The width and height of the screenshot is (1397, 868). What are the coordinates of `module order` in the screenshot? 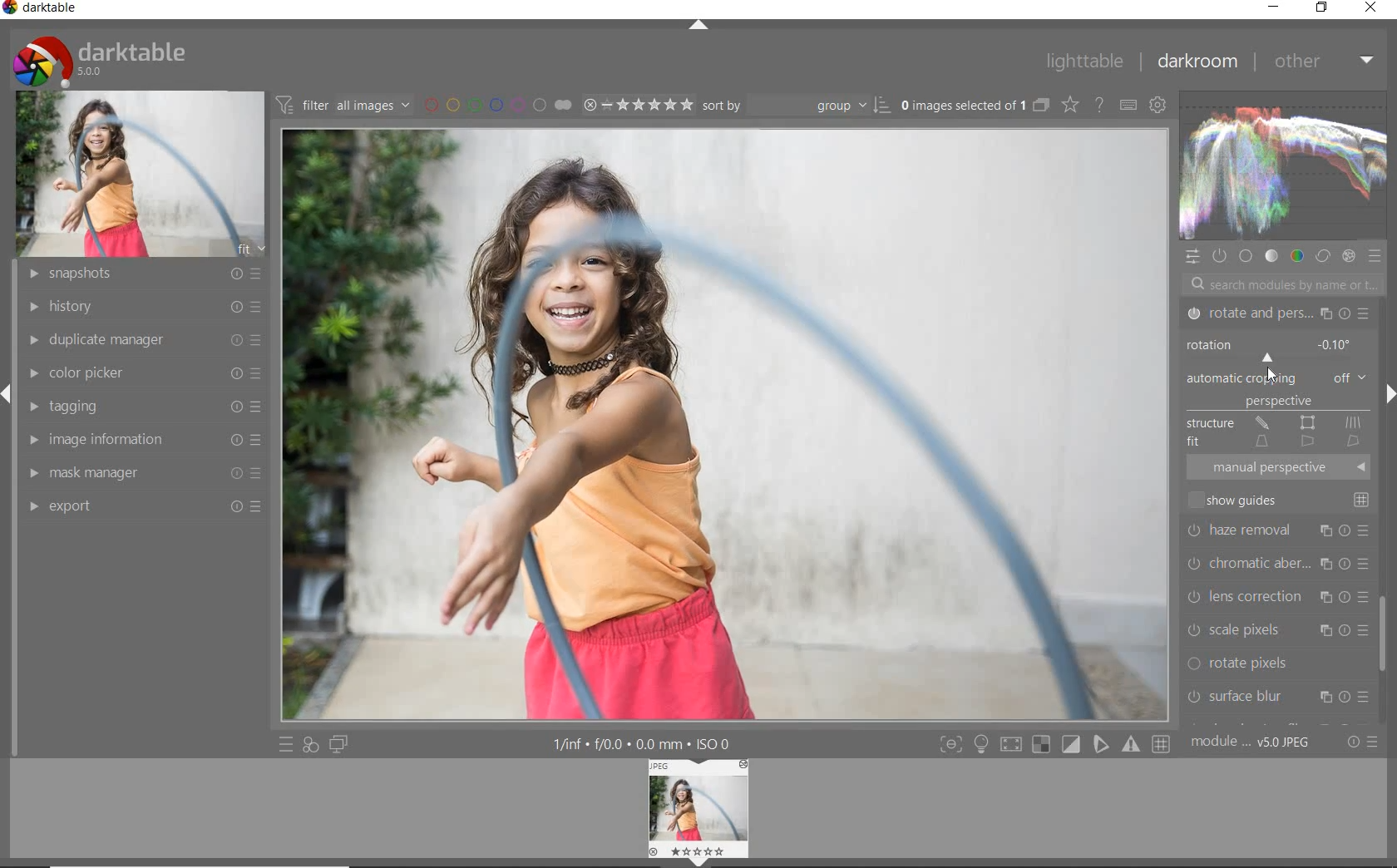 It's located at (1251, 743).